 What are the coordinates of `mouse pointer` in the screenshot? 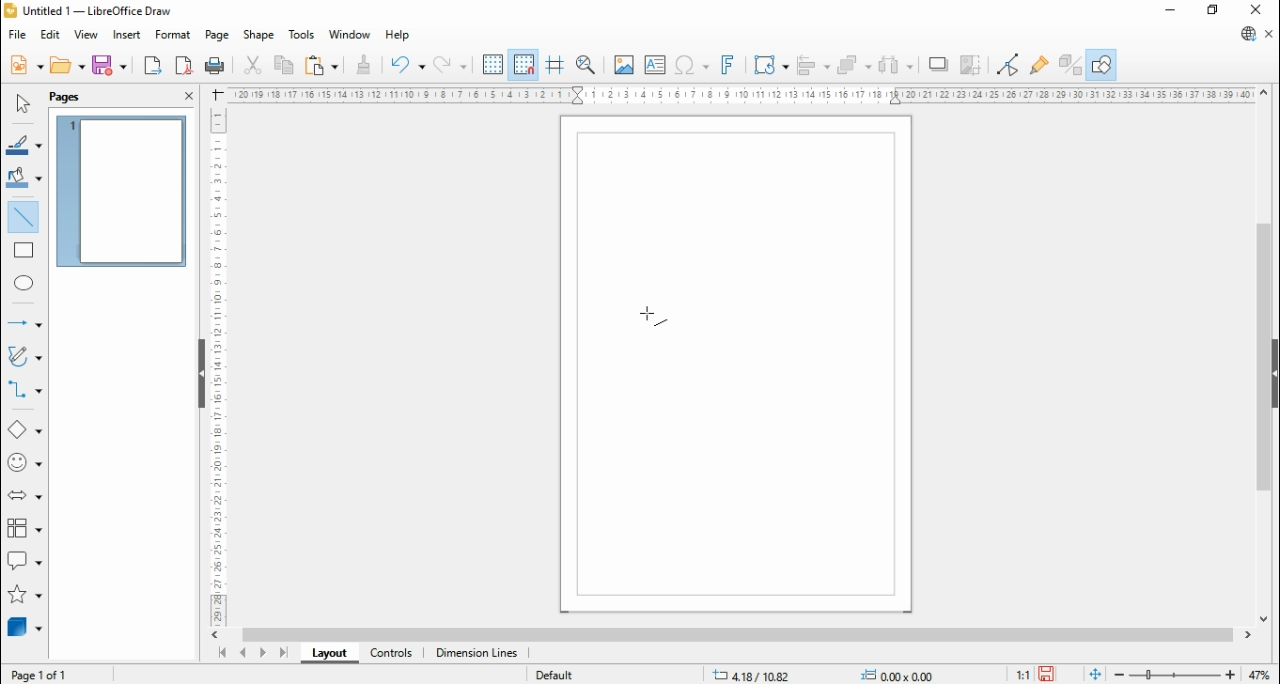 It's located at (655, 315).